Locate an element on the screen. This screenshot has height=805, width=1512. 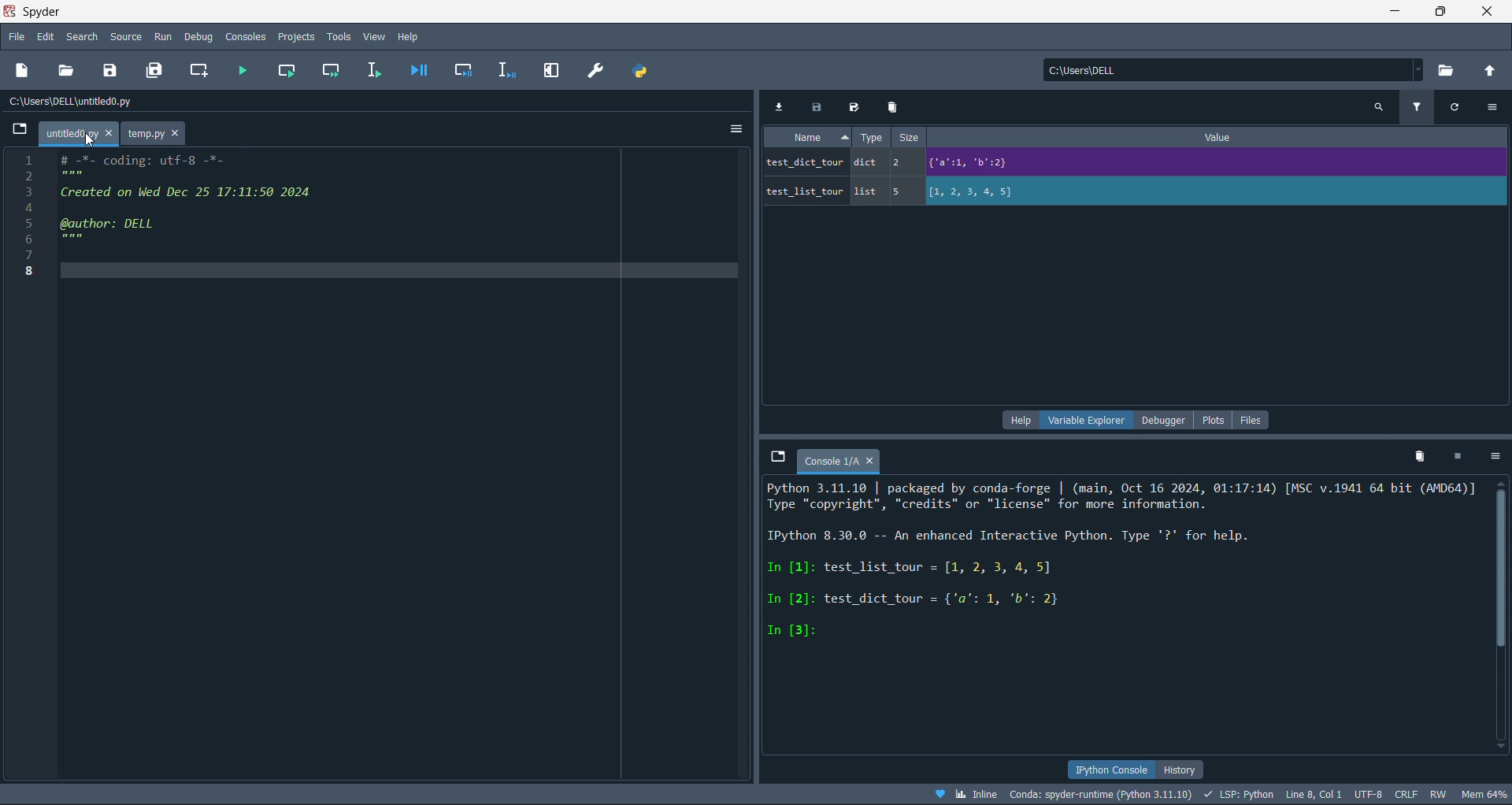
browse tabs is located at coordinates (777, 457).